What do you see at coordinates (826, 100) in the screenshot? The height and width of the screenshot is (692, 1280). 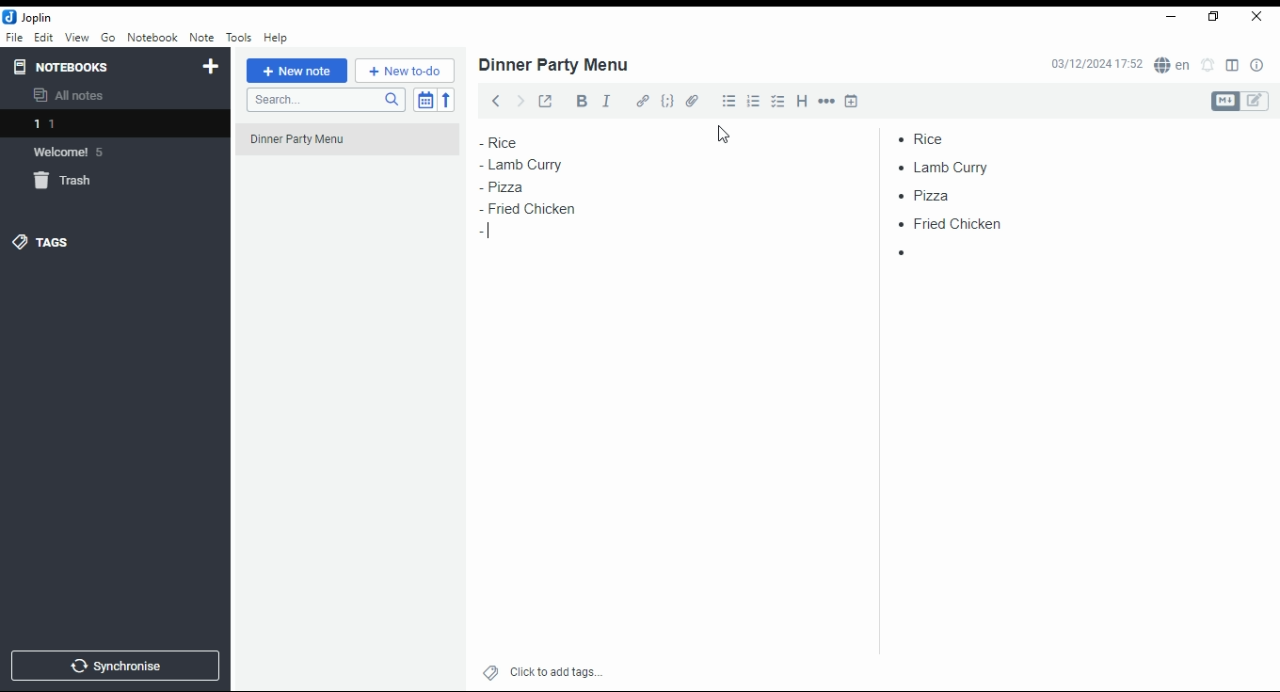 I see `horizontal rule` at bounding box center [826, 100].